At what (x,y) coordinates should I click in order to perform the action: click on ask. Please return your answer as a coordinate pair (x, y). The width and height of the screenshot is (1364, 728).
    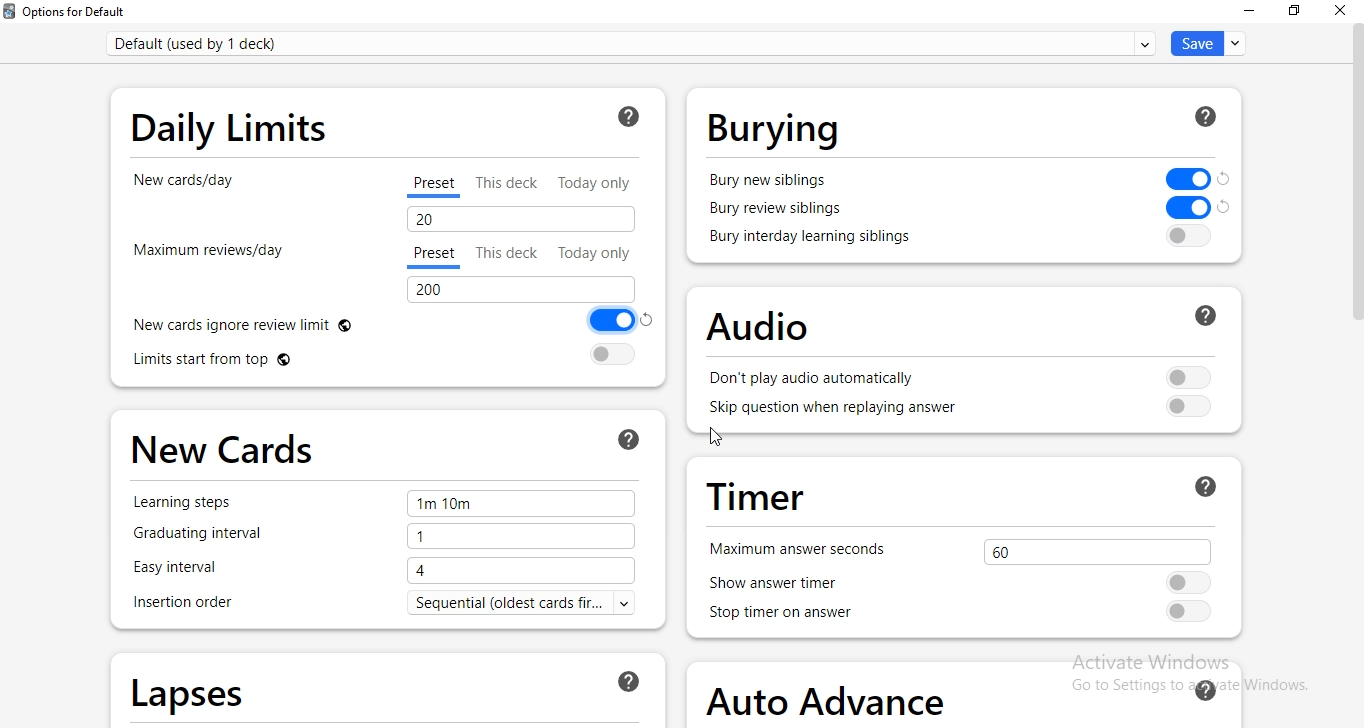
    Looking at the image, I should click on (1204, 687).